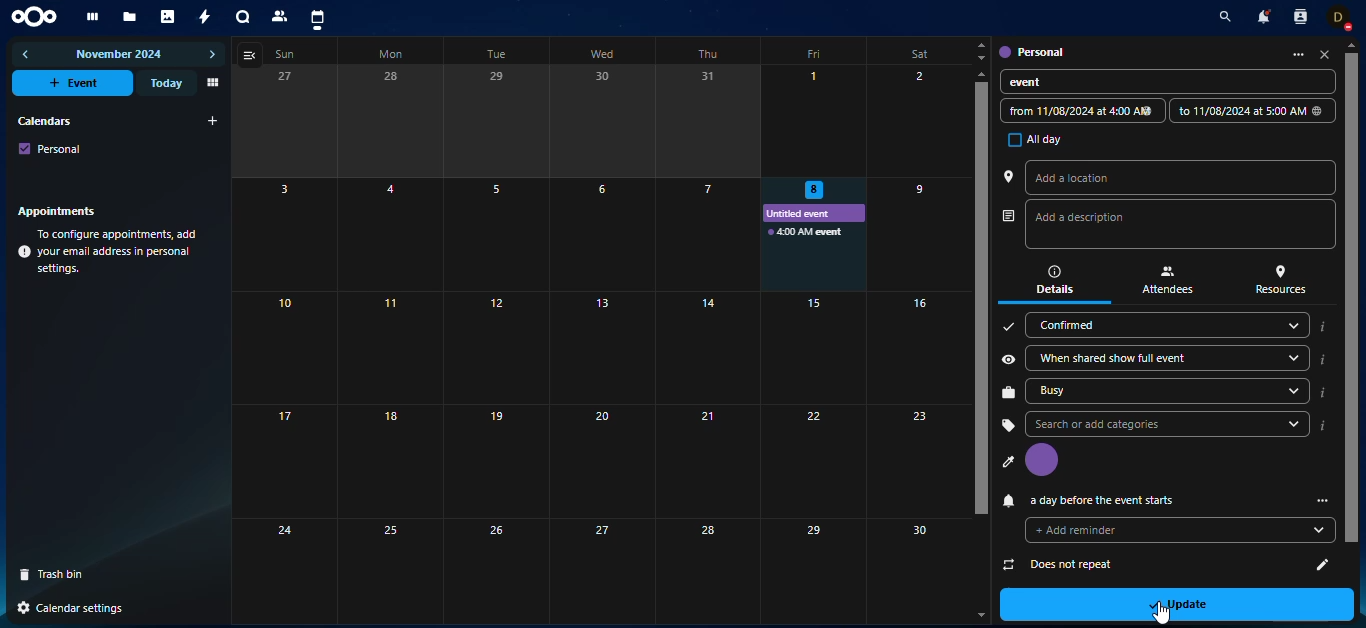 This screenshot has height=628, width=1366. Describe the element at coordinates (164, 83) in the screenshot. I see `today` at that location.